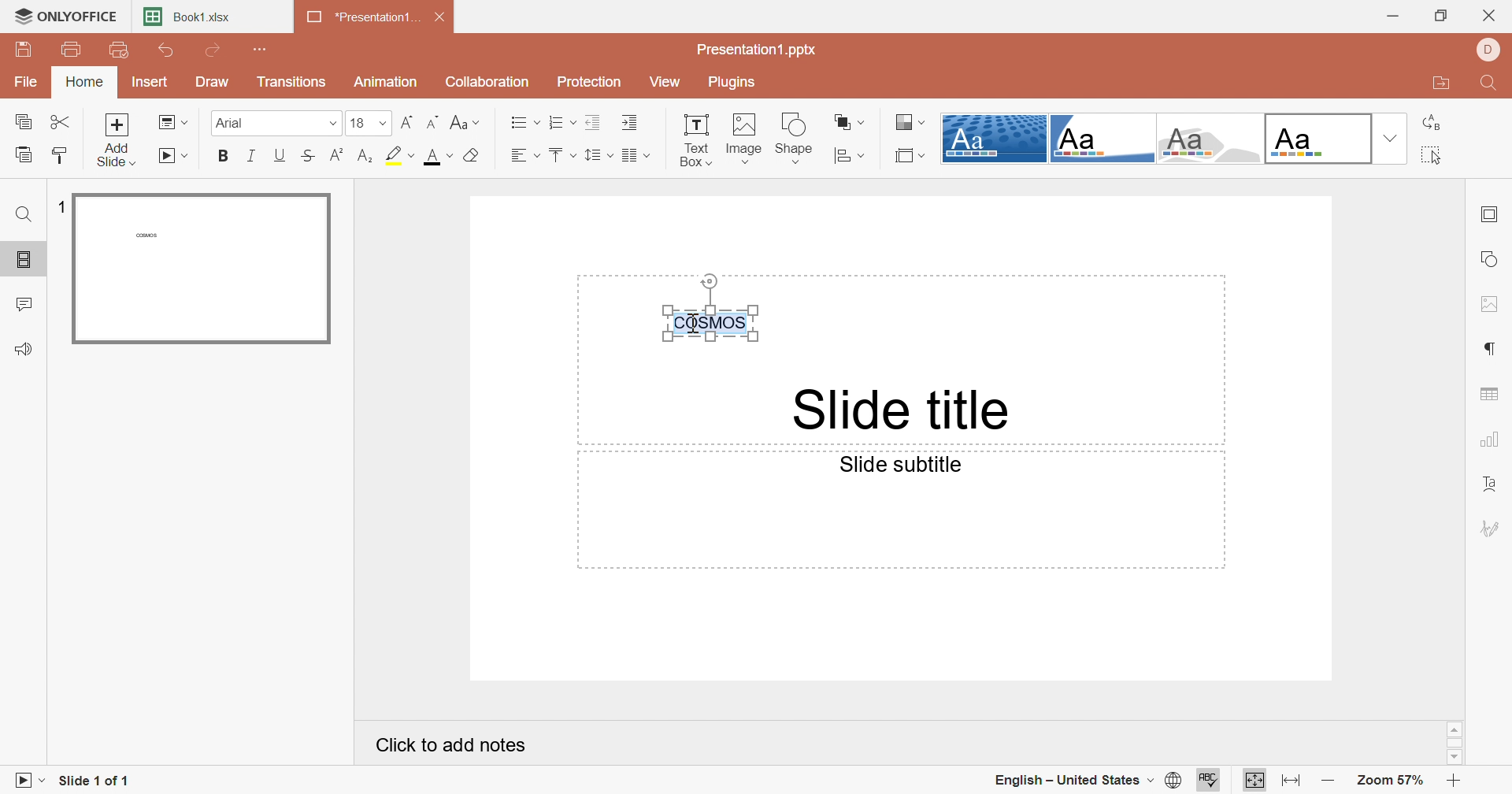 The image size is (1512, 794). Describe the element at coordinates (1175, 778) in the screenshot. I see `Set document language` at that location.